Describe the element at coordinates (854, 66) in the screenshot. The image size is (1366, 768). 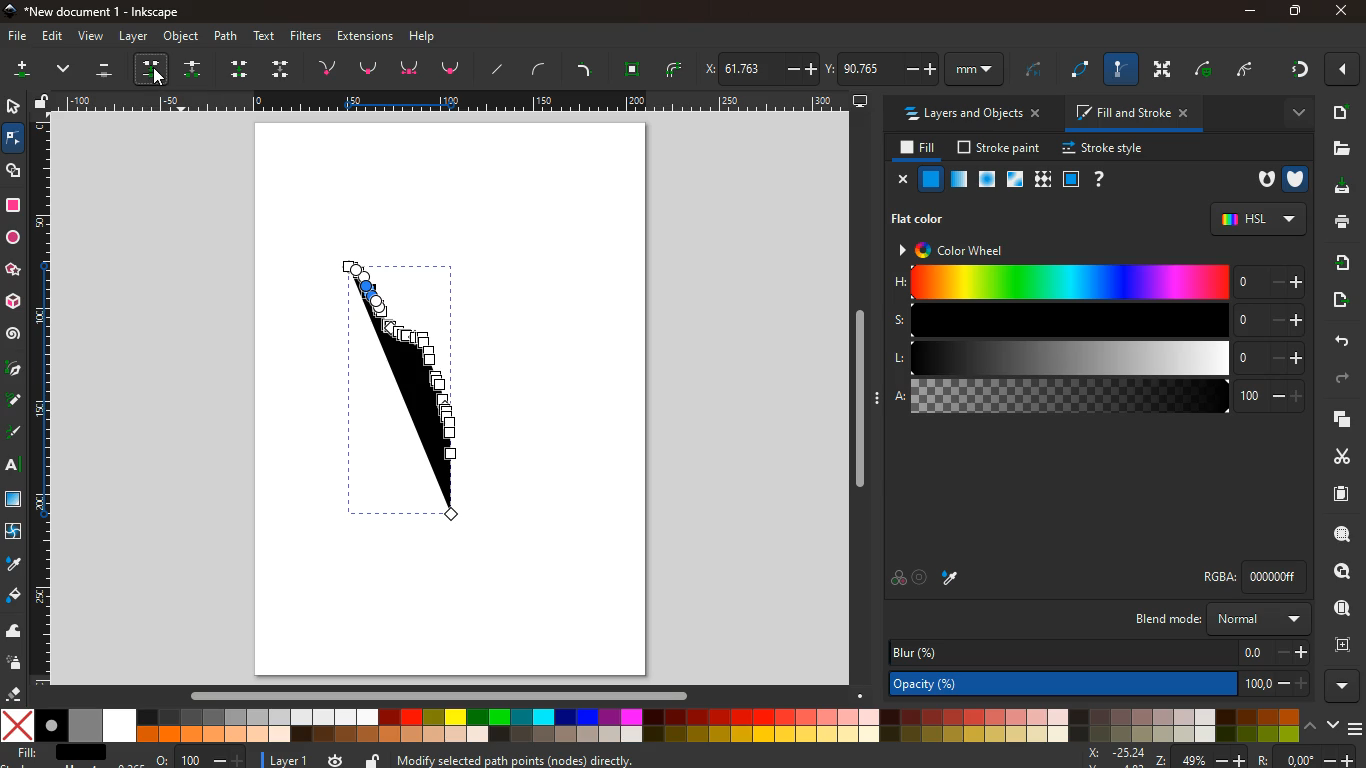
I see `coordinates` at that location.